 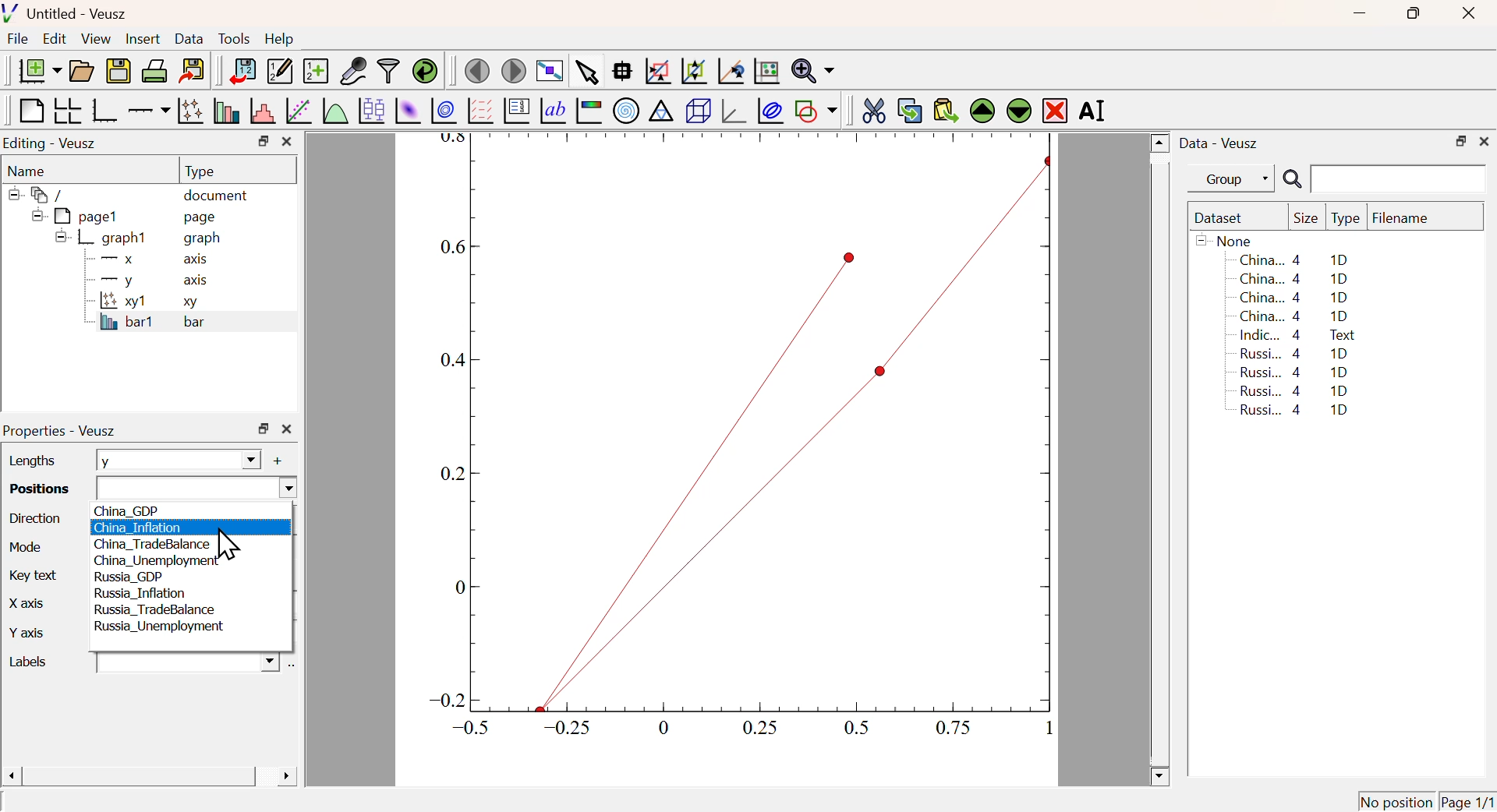 I want to click on Histogram of a dataset, so click(x=263, y=111).